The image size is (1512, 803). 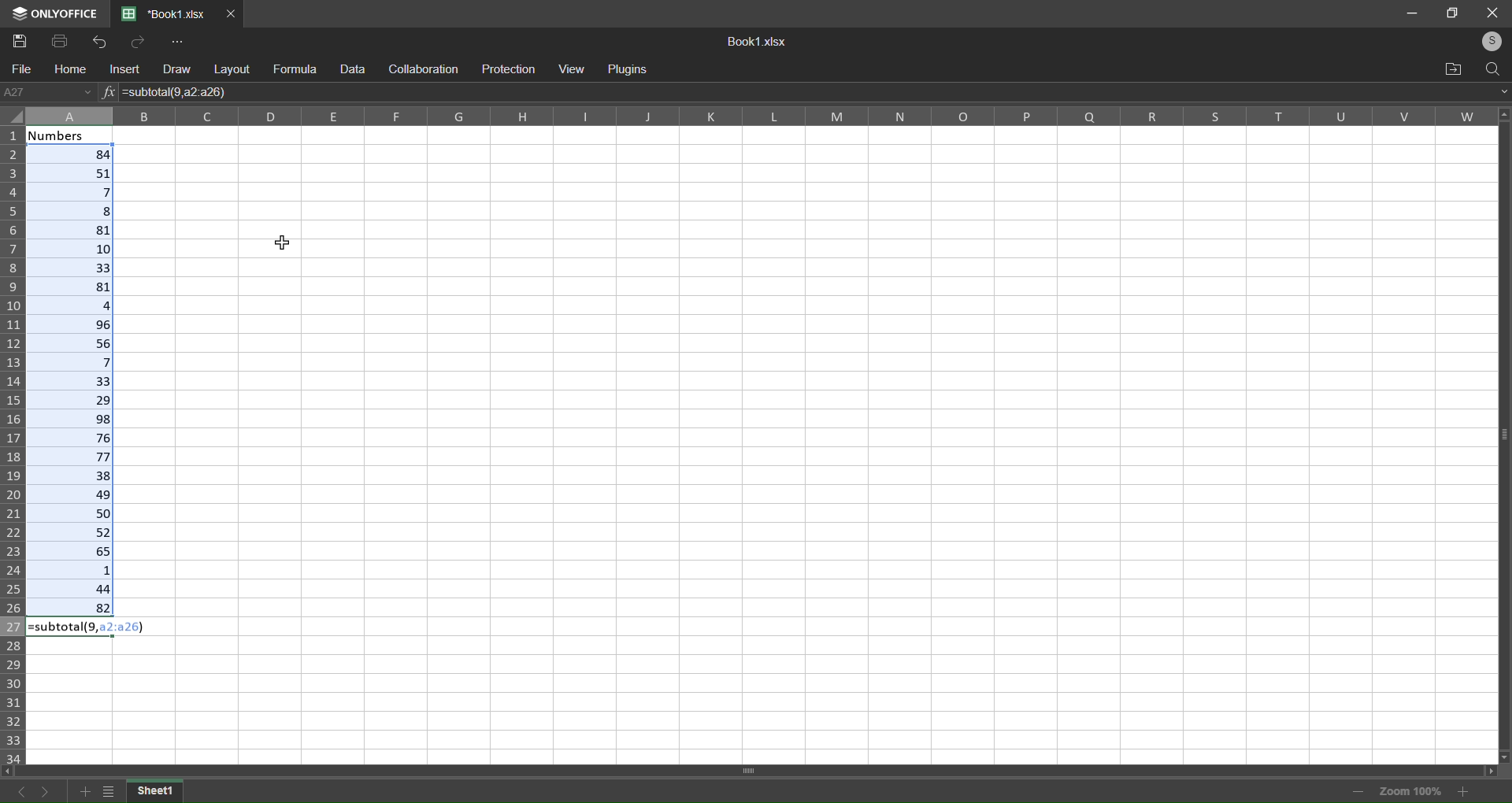 What do you see at coordinates (1451, 67) in the screenshot?
I see `open` at bounding box center [1451, 67].